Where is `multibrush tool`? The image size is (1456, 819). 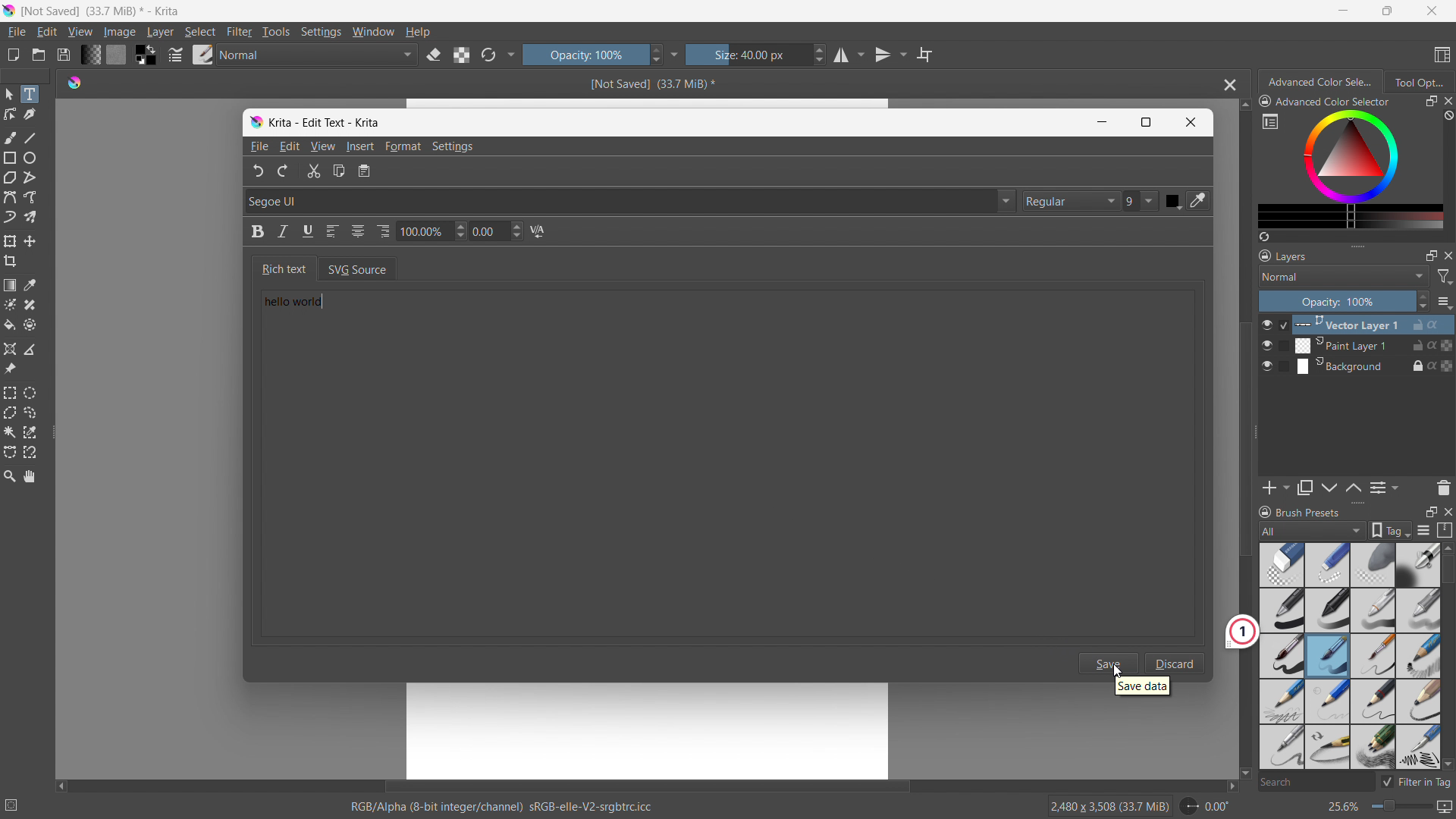 multibrush tool is located at coordinates (30, 217).